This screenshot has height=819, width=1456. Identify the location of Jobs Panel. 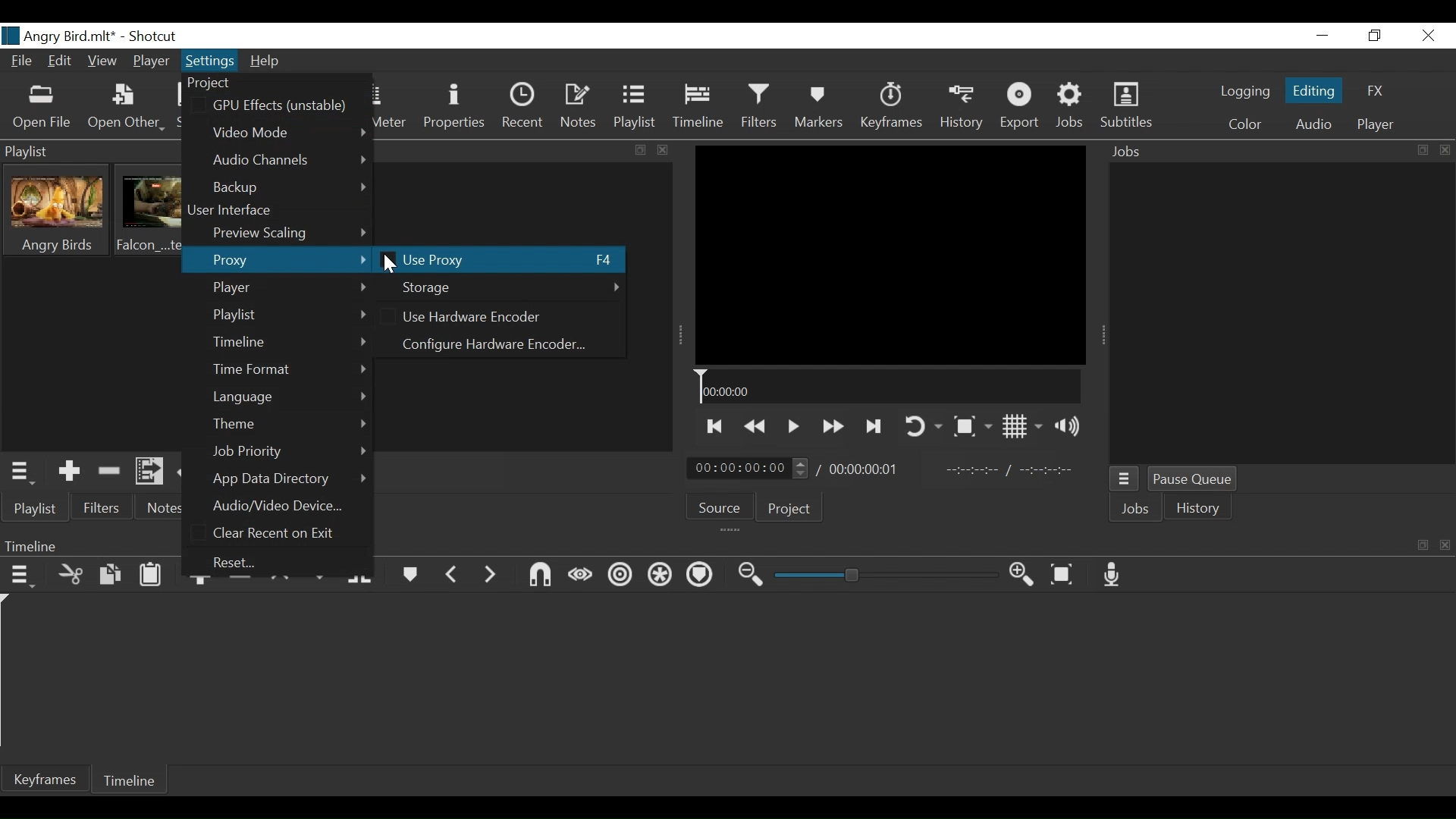
(1282, 315).